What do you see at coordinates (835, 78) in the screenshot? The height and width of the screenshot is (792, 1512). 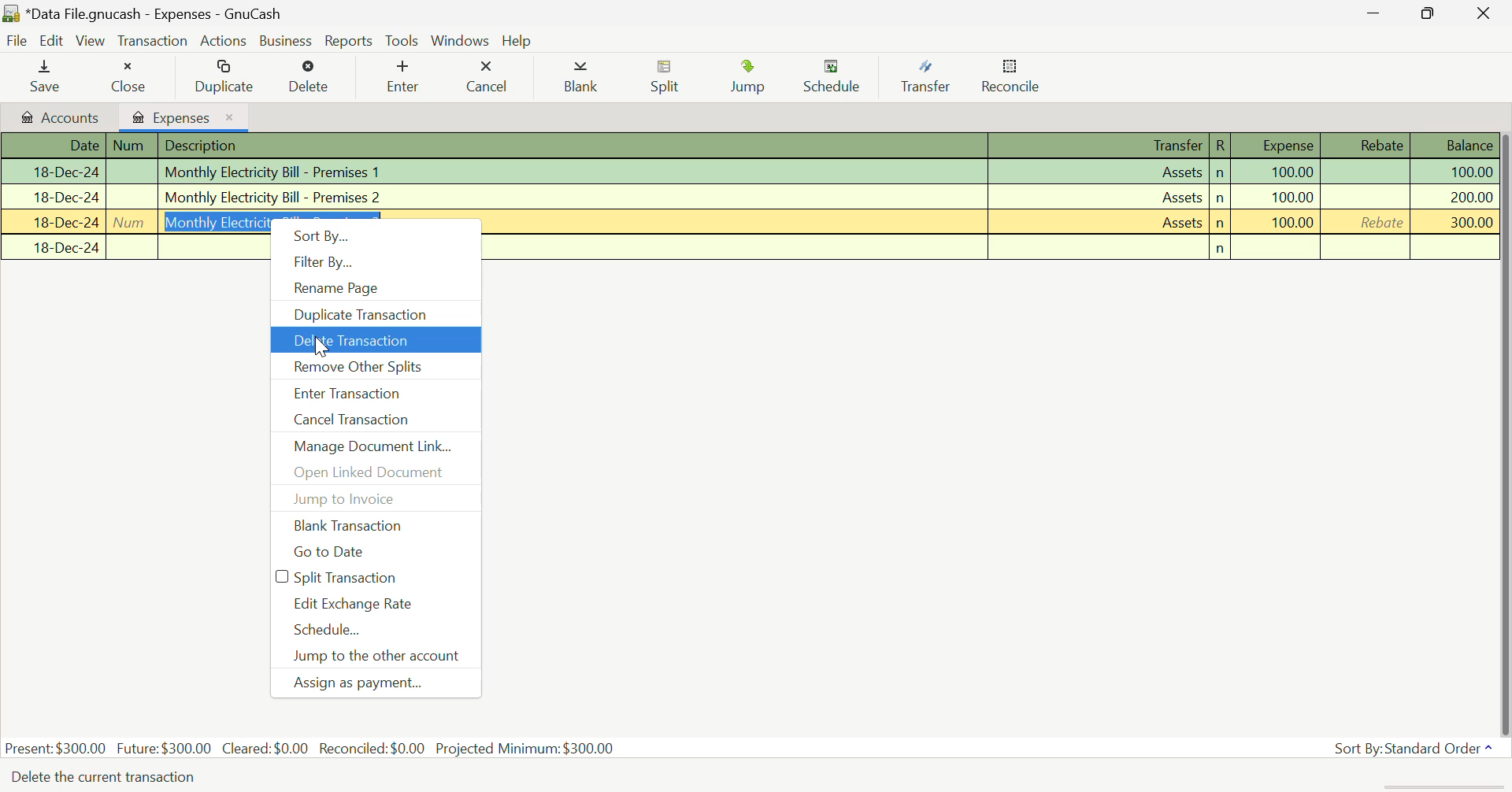 I see `Schedule` at bounding box center [835, 78].